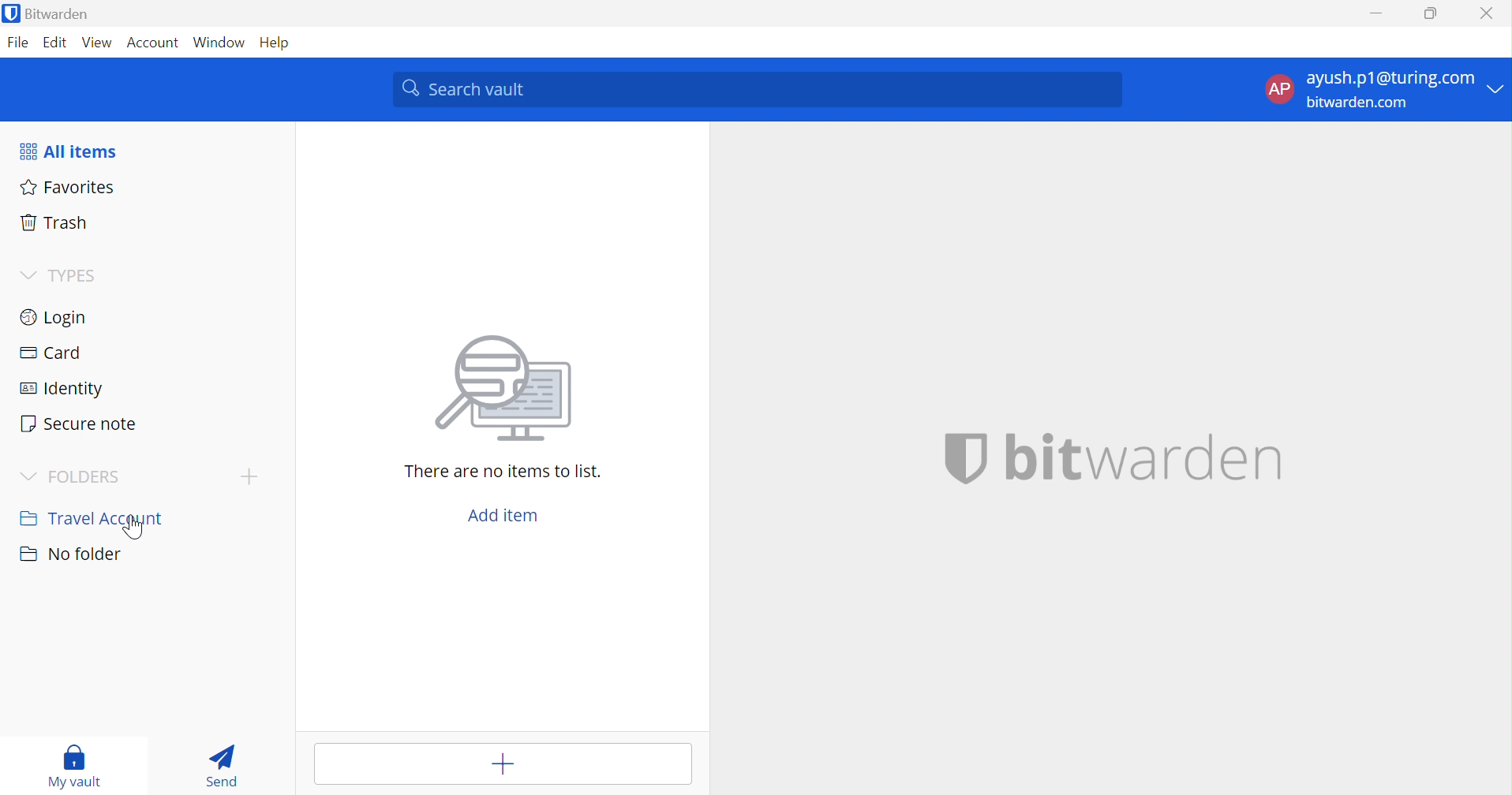  What do you see at coordinates (140, 528) in the screenshot?
I see `cursor` at bounding box center [140, 528].